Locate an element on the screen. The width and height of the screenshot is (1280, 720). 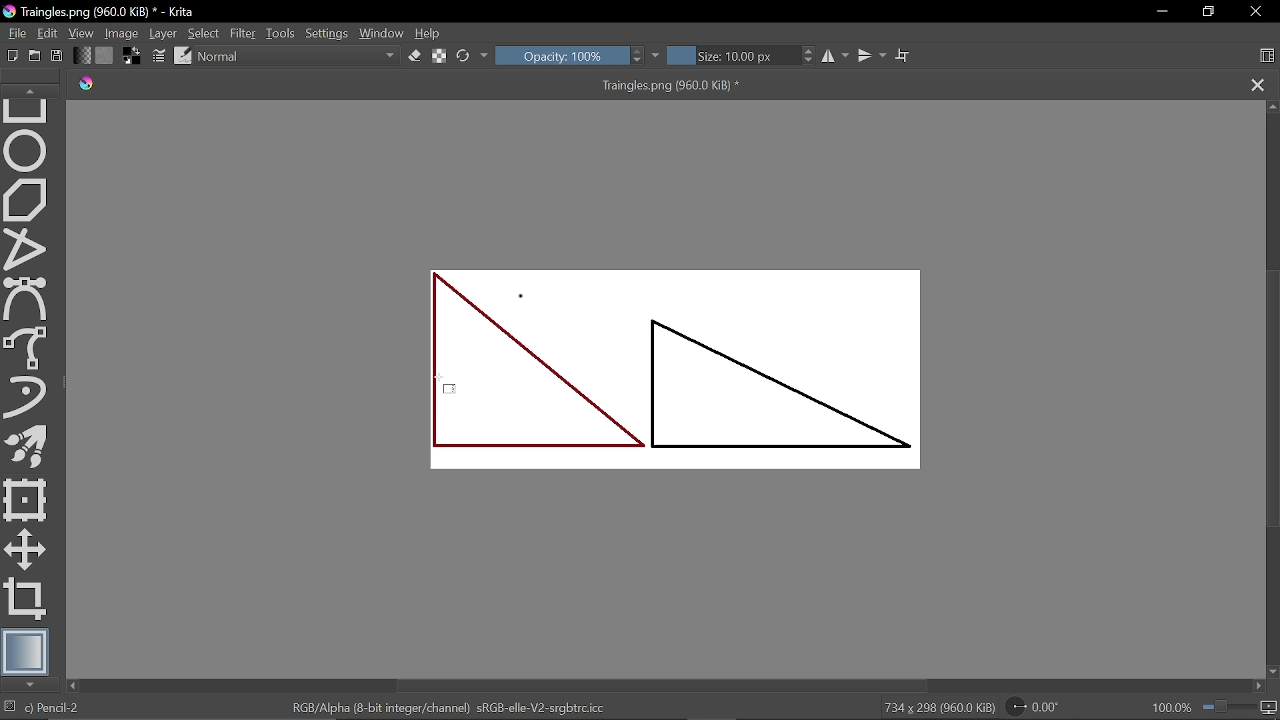
File is located at coordinates (14, 32).